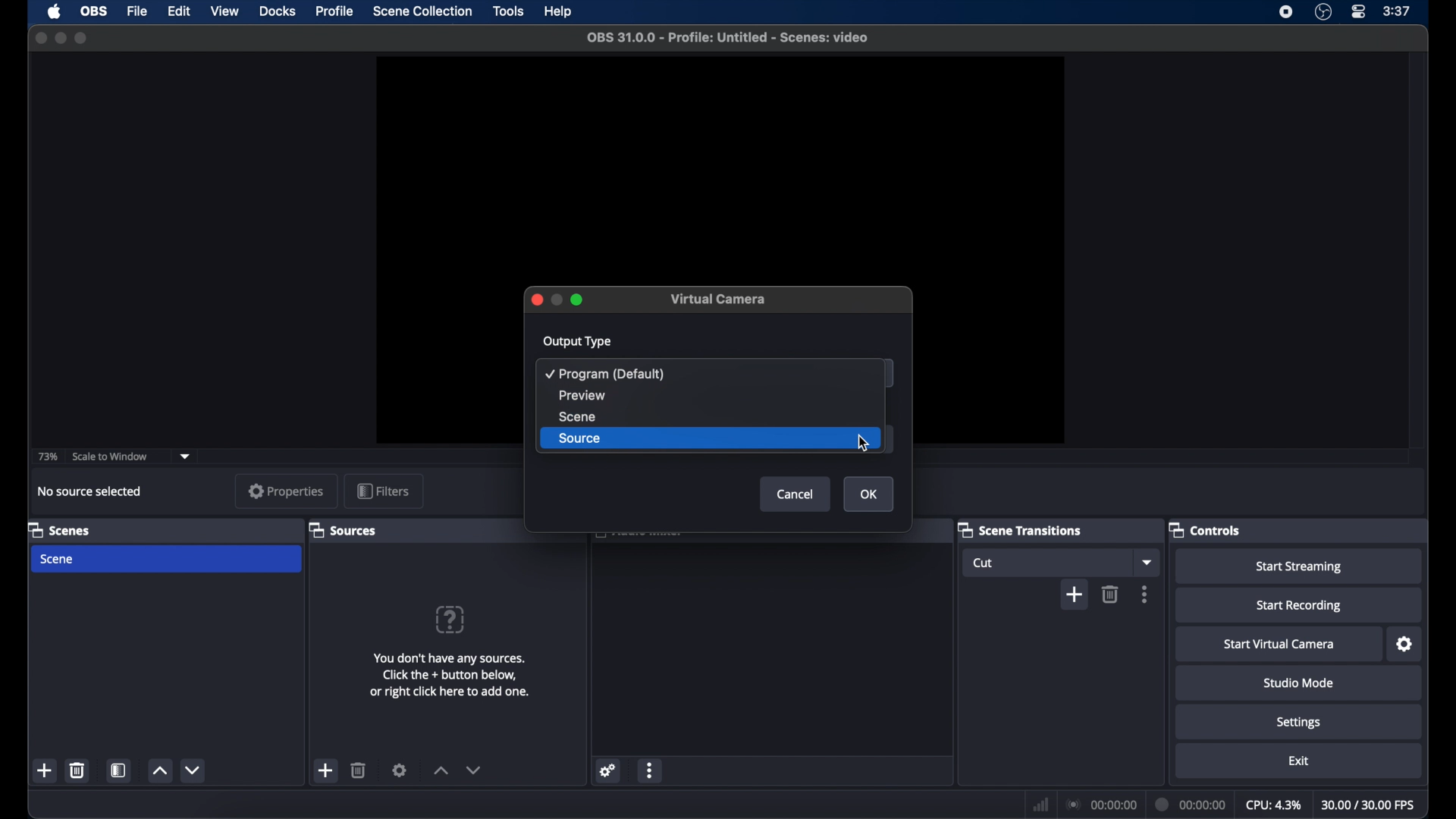 Image resolution: width=1456 pixels, height=819 pixels. Describe the element at coordinates (159, 771) in the screenshot. I see `increment` at that location.